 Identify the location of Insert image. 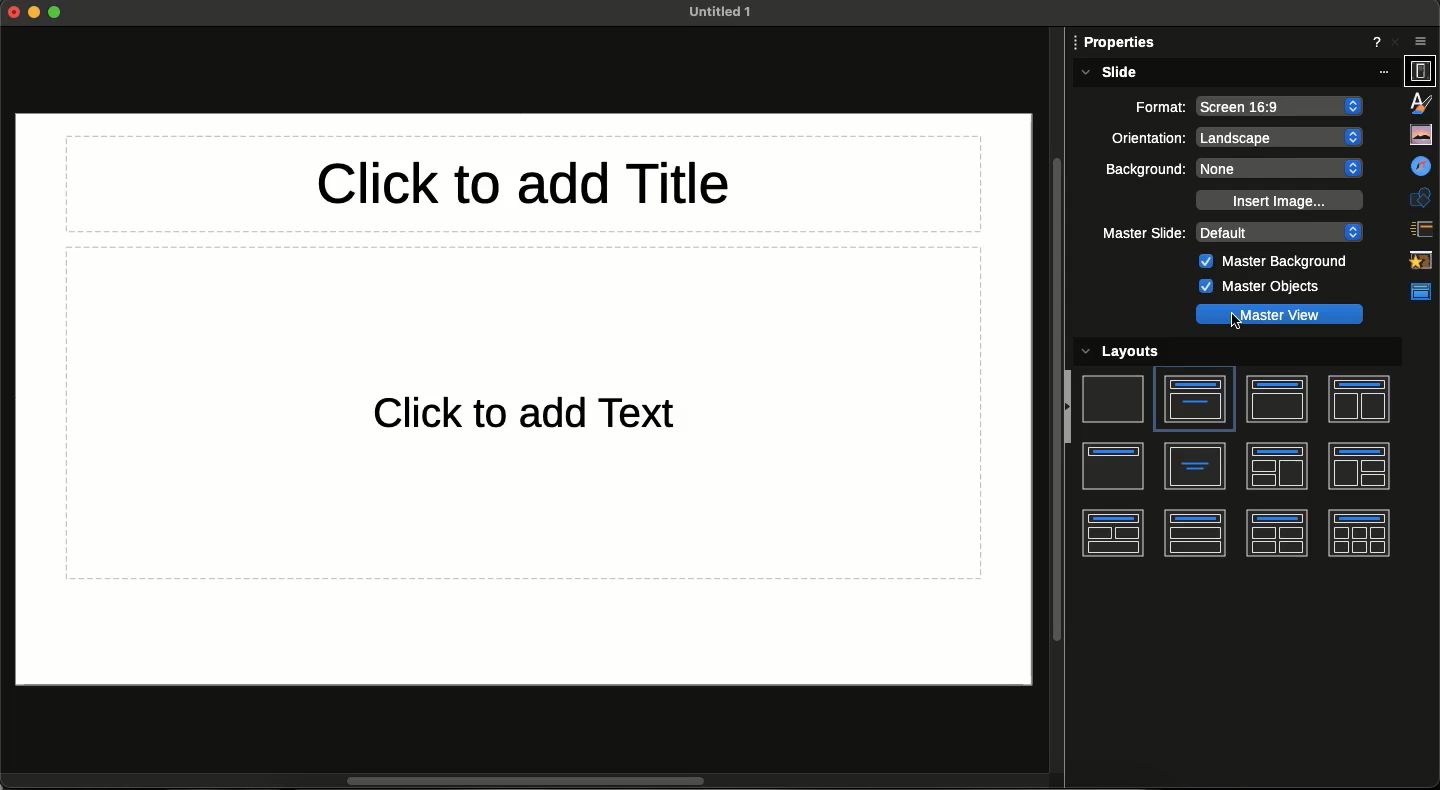
(1277, 200).